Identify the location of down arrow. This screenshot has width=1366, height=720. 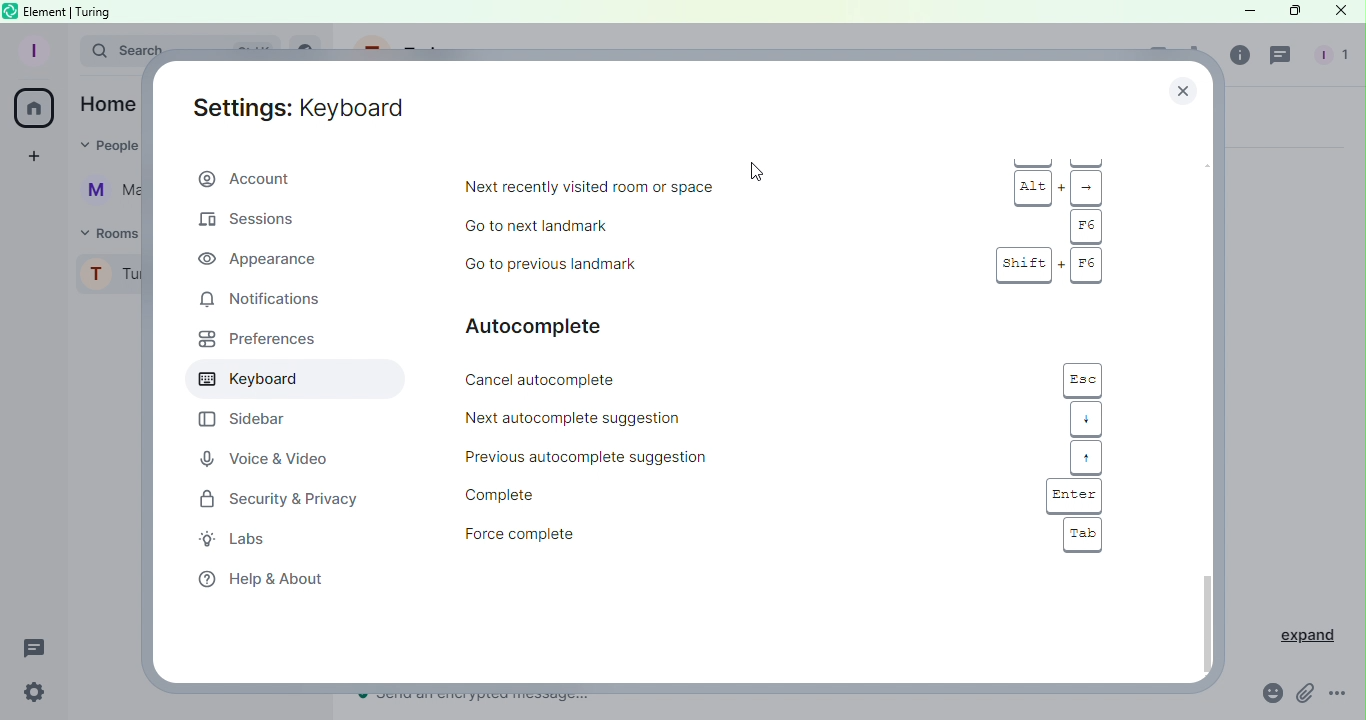
(1086, 419).